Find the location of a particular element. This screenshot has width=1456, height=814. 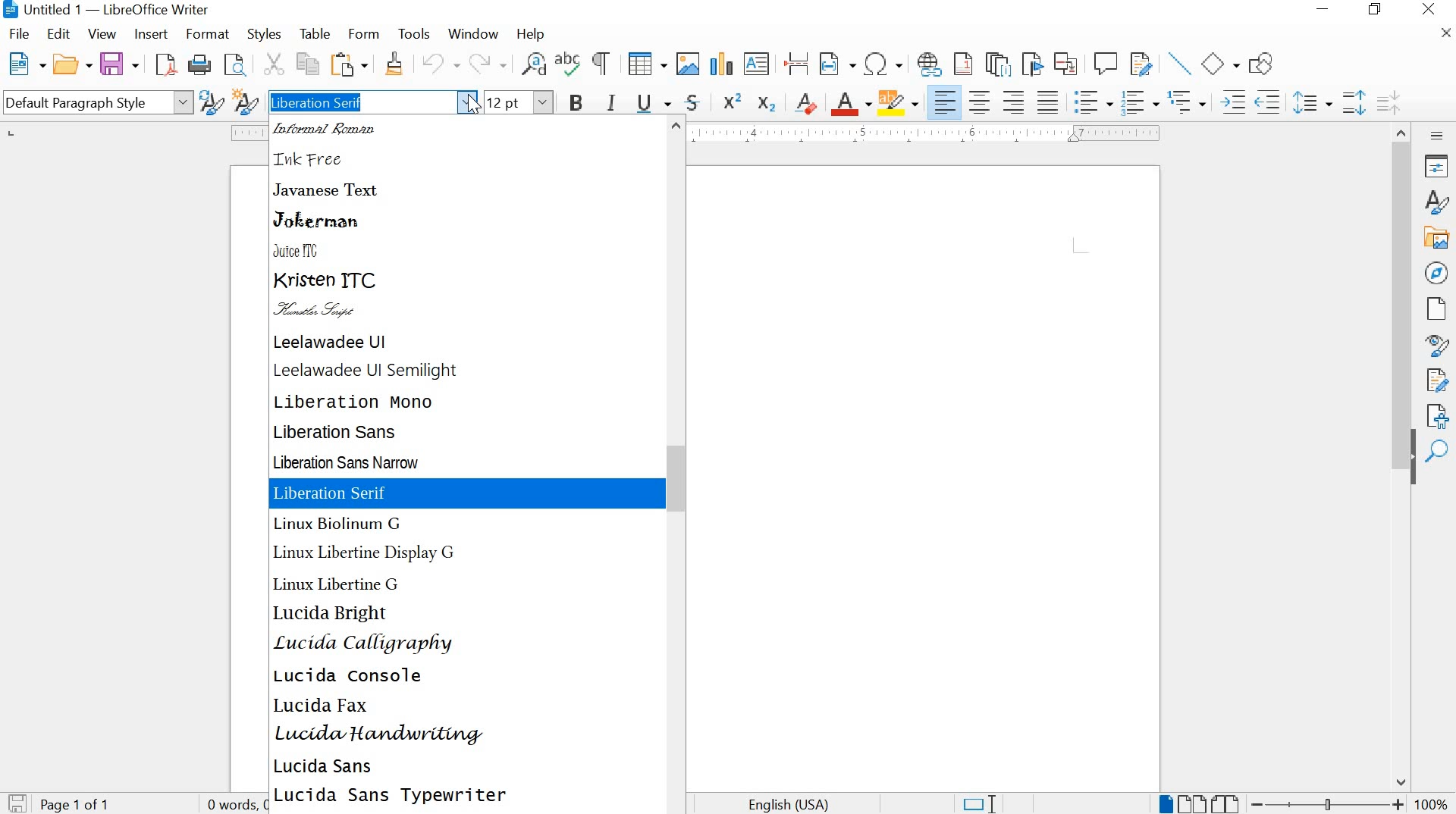

MANAGE CHANGES is located at coordinates (1439, 379).